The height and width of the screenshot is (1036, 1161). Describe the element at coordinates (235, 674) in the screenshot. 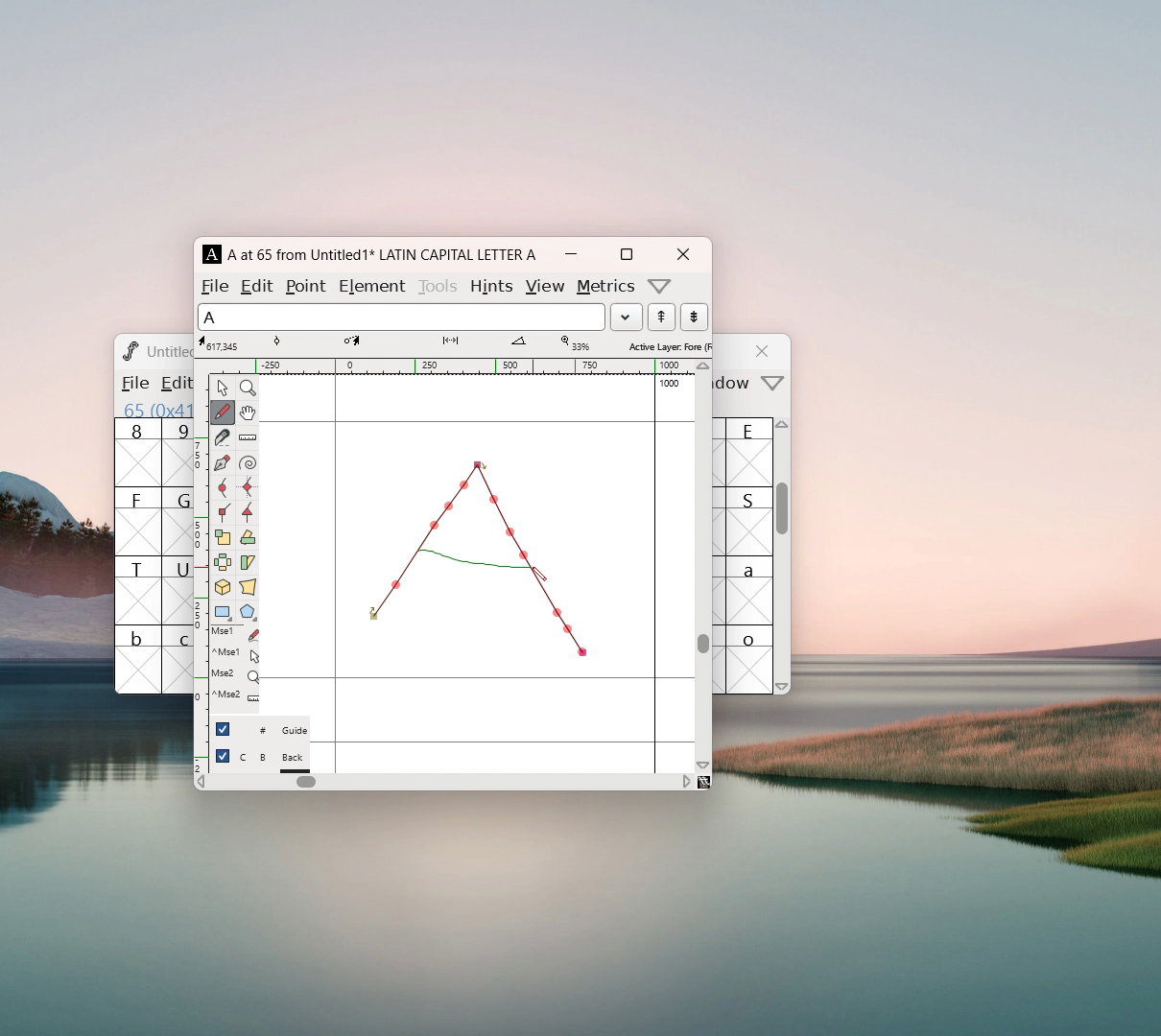

I see `Mse2` at that location.